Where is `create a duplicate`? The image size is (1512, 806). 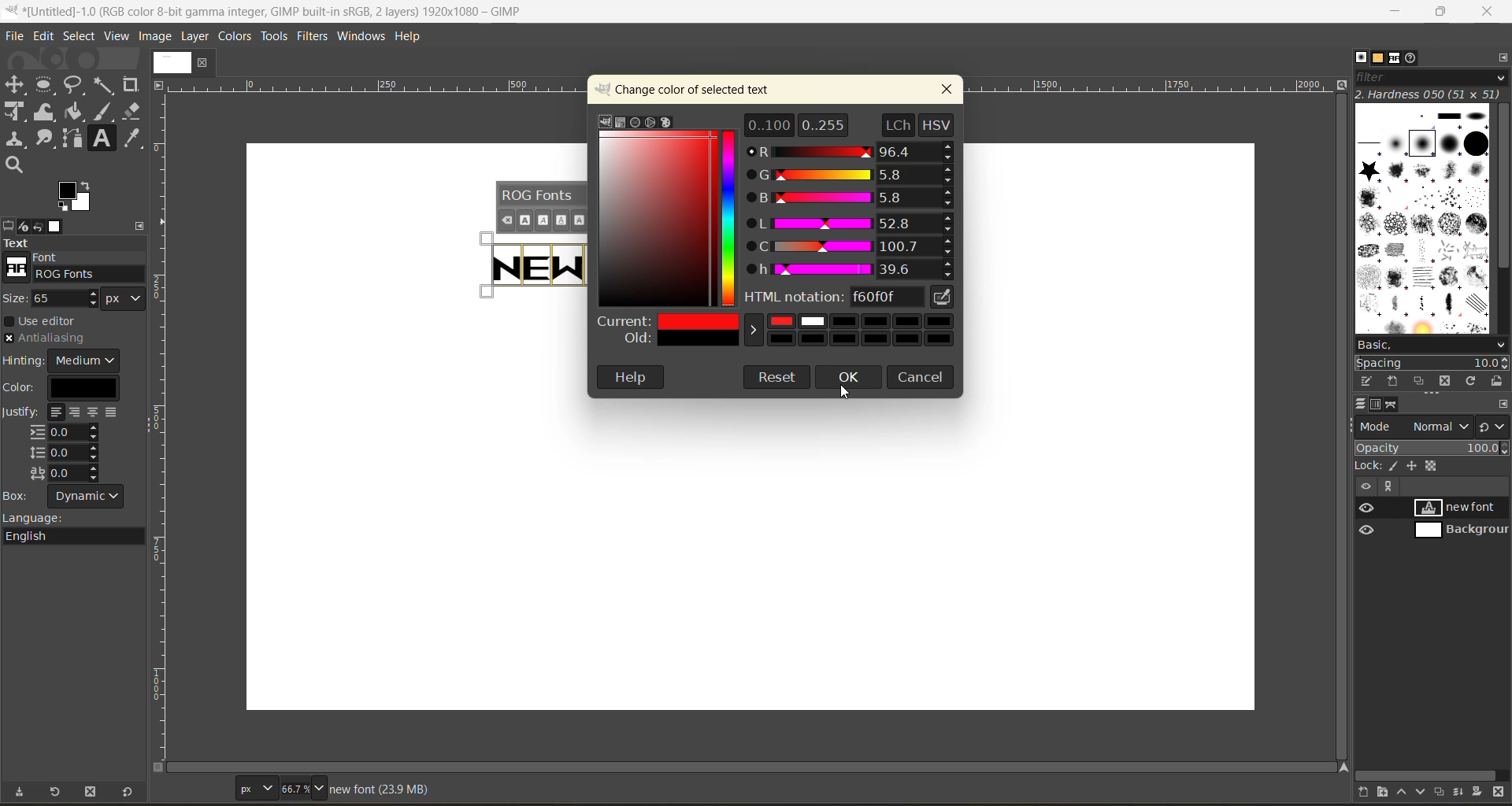 create a duplicate is located at coordinates (1441, 791).